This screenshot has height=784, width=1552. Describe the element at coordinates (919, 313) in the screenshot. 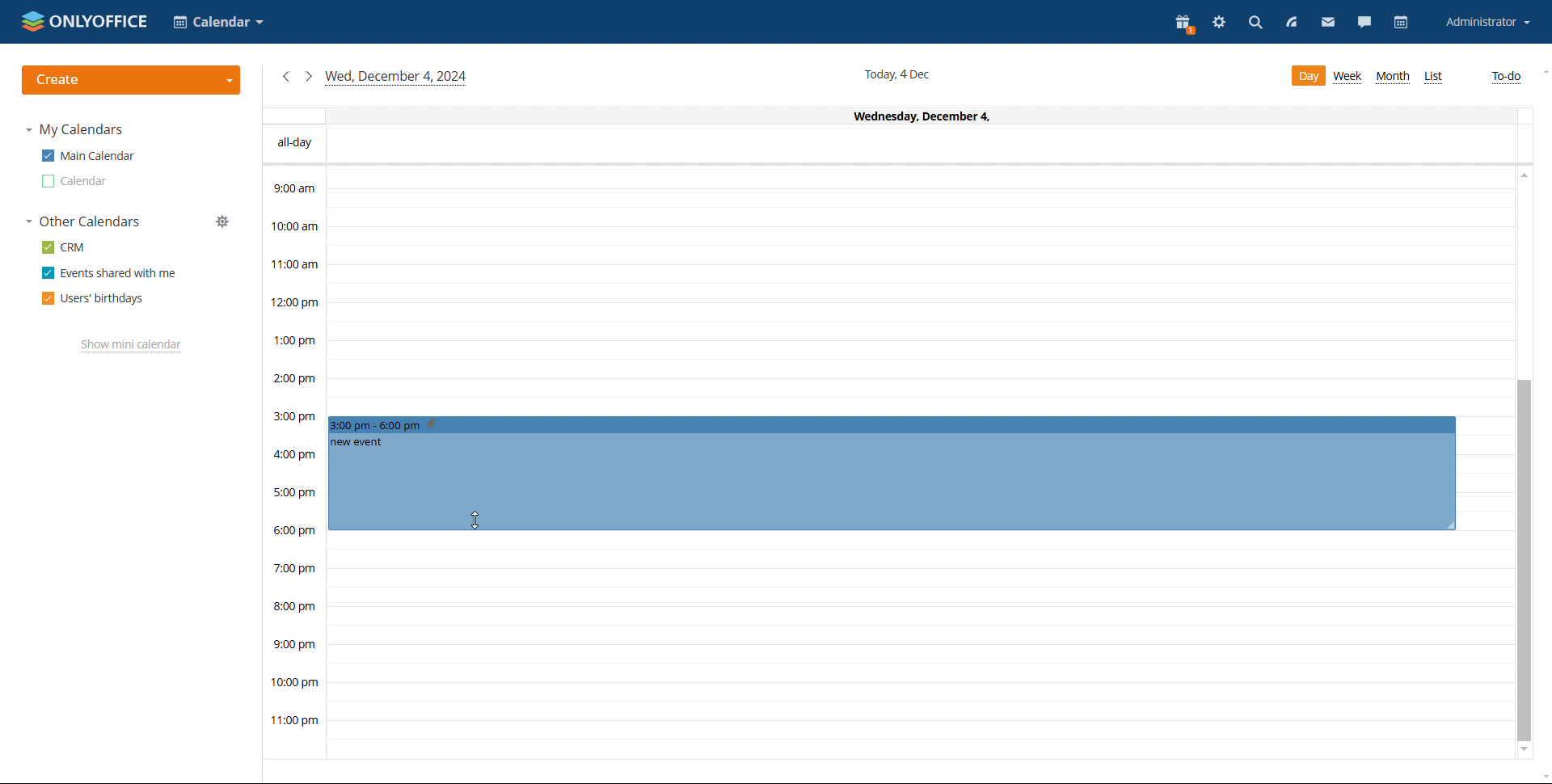

I see `30 min time span` at that location.